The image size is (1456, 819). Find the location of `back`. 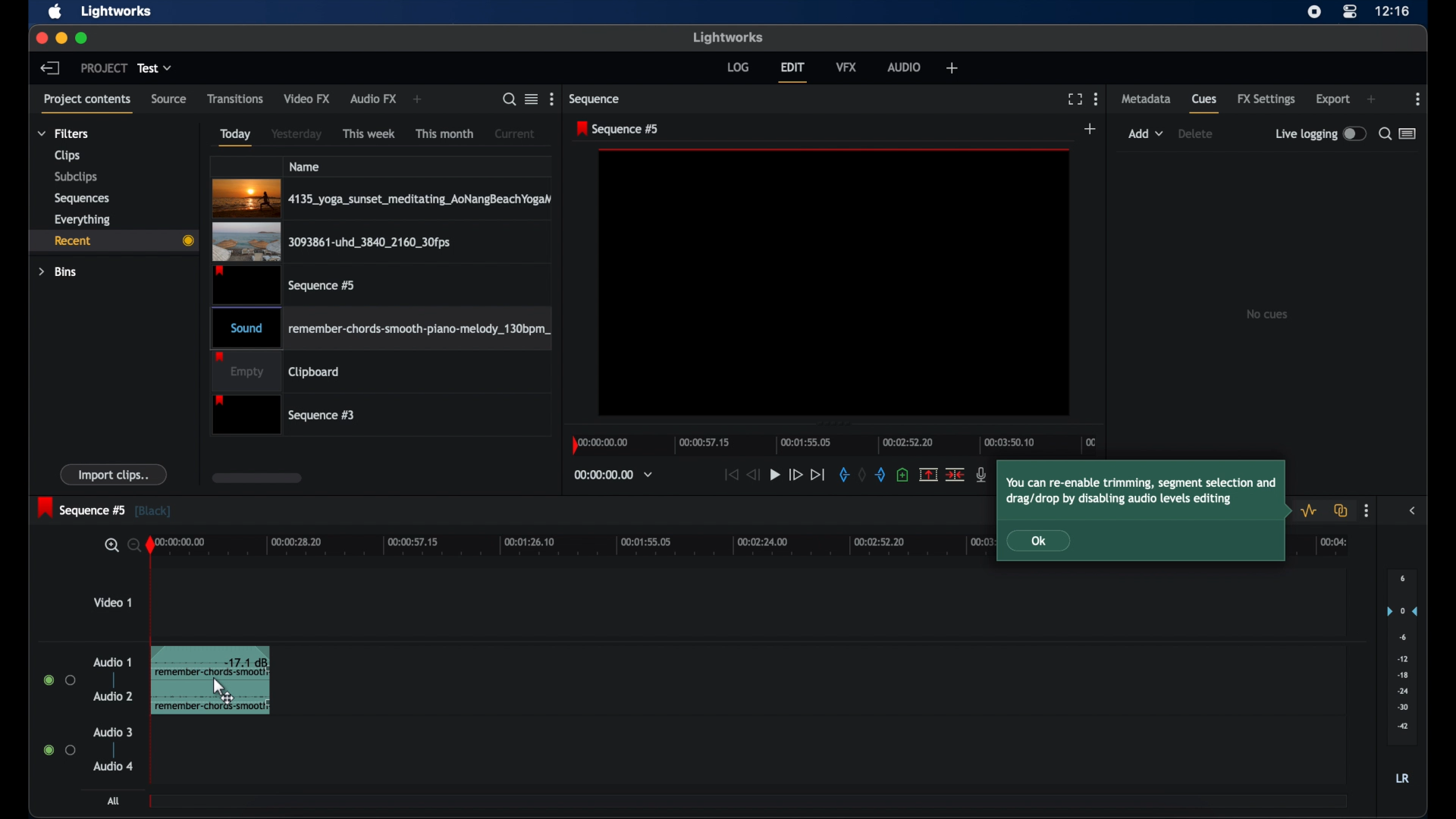

back is located at coordinates (50, 67).